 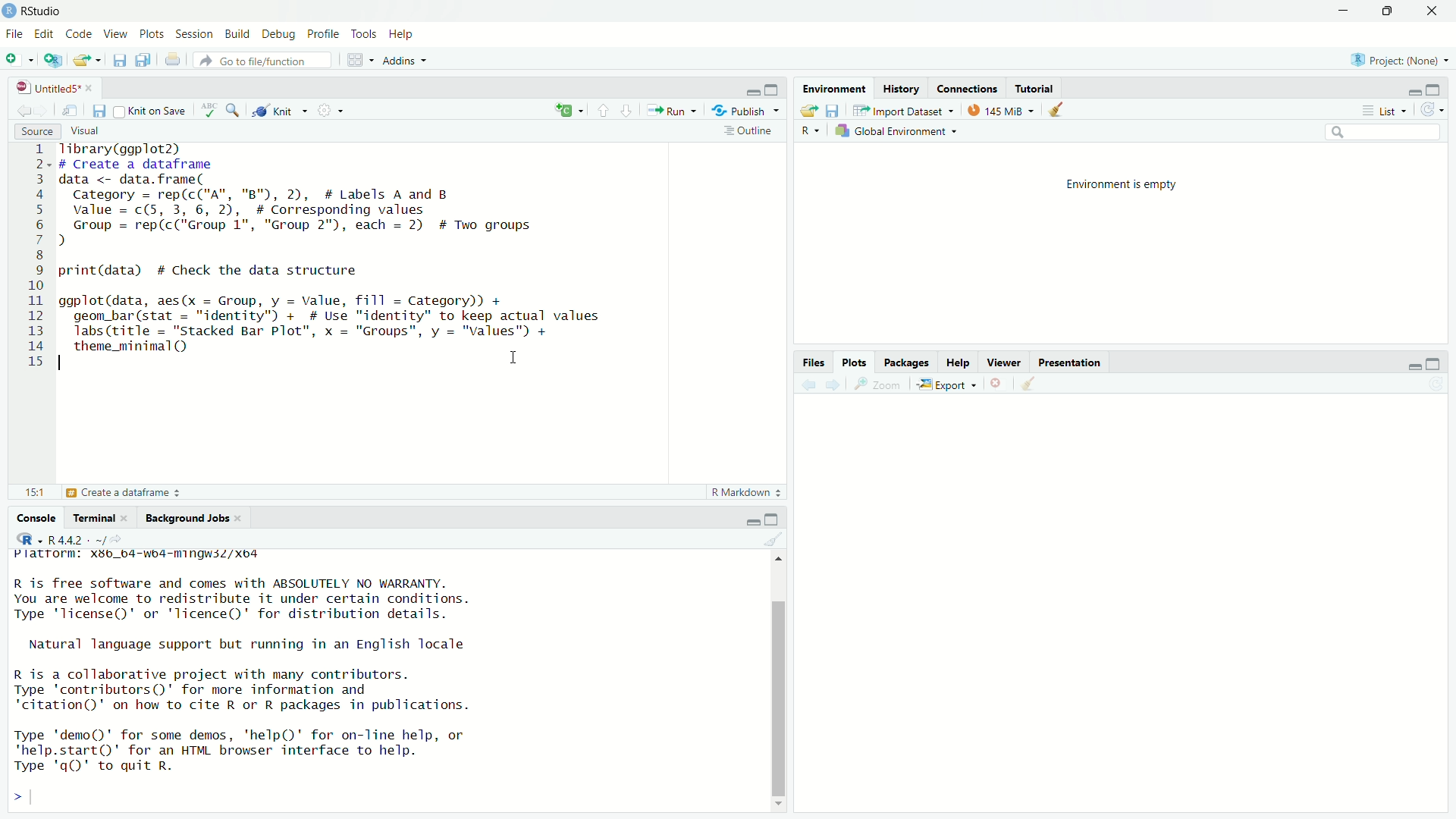 What do you see at coordinates (278, 108) in the screenshot?
I see `Knit` at bounding box center [278, 108].